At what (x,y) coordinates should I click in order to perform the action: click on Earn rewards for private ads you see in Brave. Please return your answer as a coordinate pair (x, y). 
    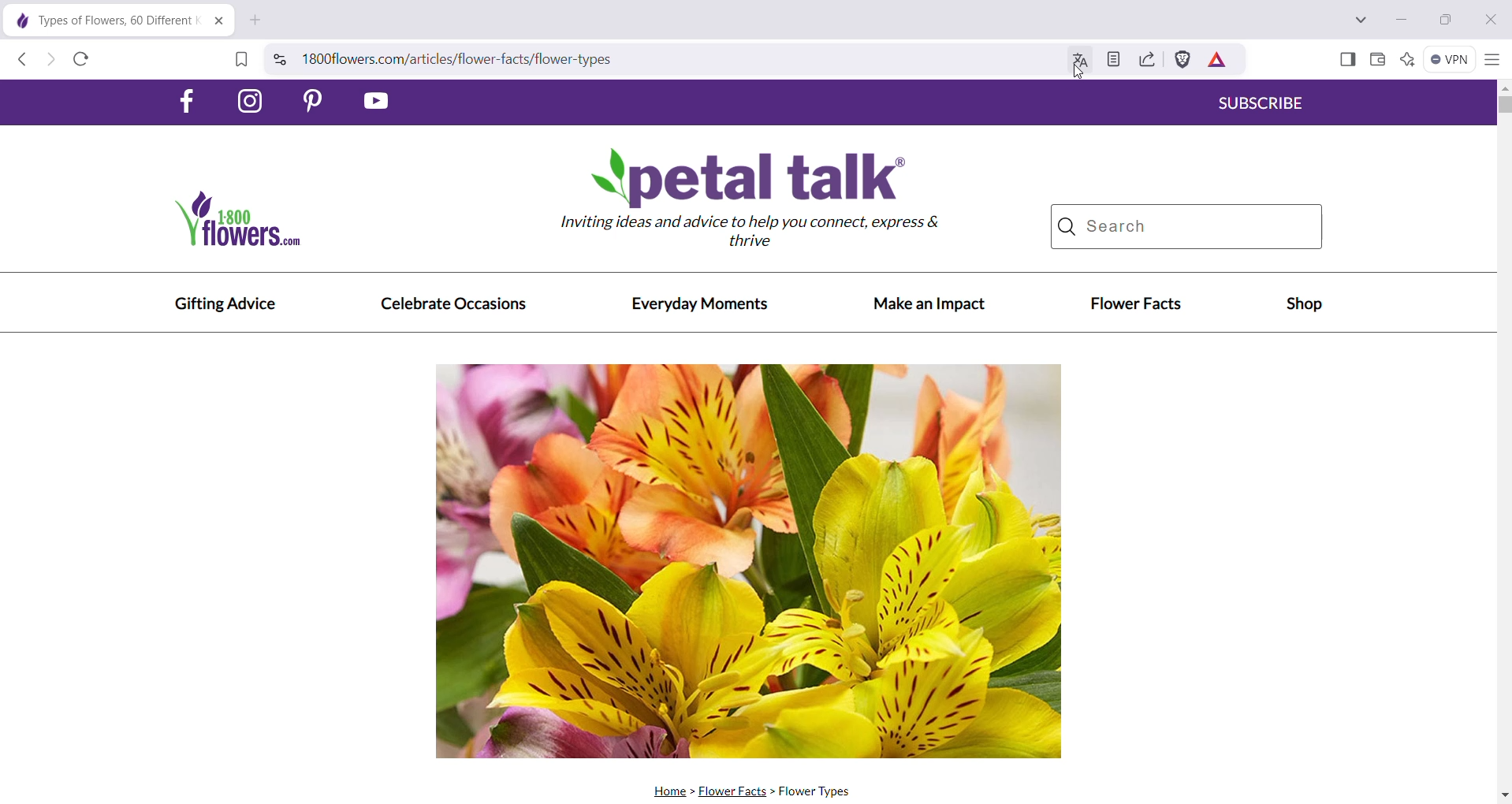
    Looking at the image, I should click on (1215, 60).